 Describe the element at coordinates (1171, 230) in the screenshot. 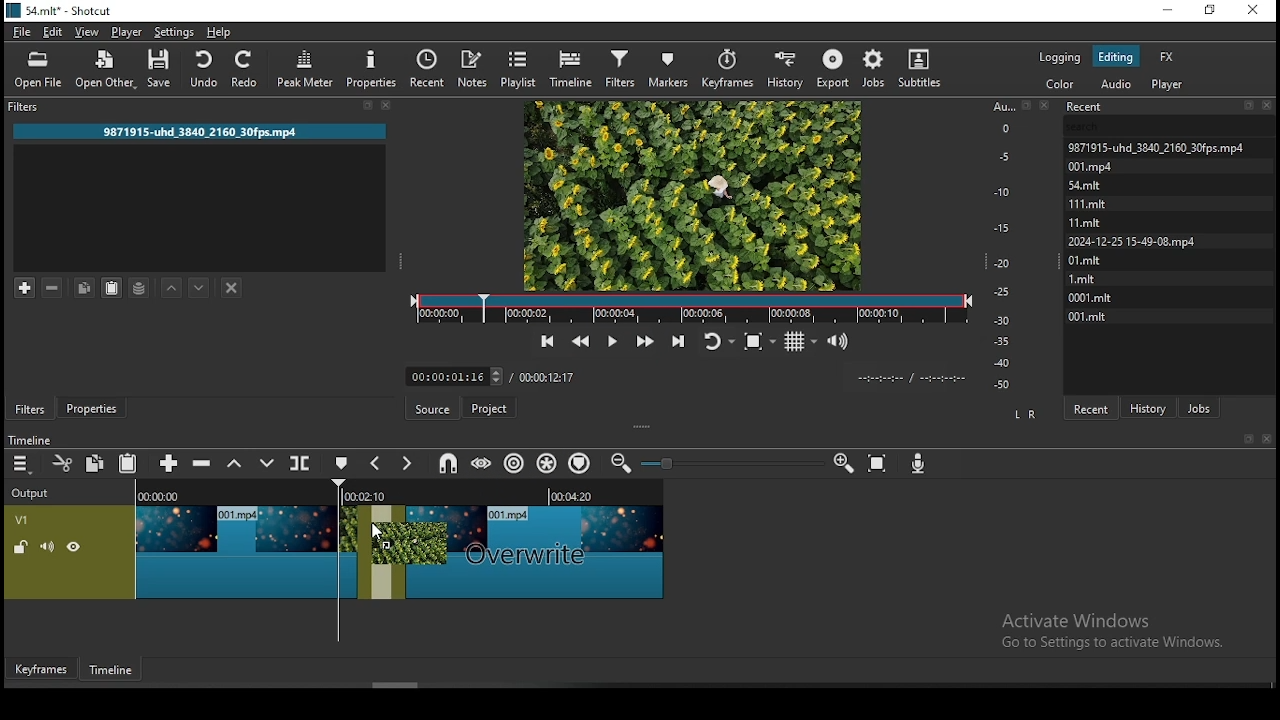

I see `9871915-uhdl 3840_2160_30fps.mp4.001mp4.amitmitmit2024-12-25 15-49-08.mpd.| otmitmit000T.mito0tmit` at that location.